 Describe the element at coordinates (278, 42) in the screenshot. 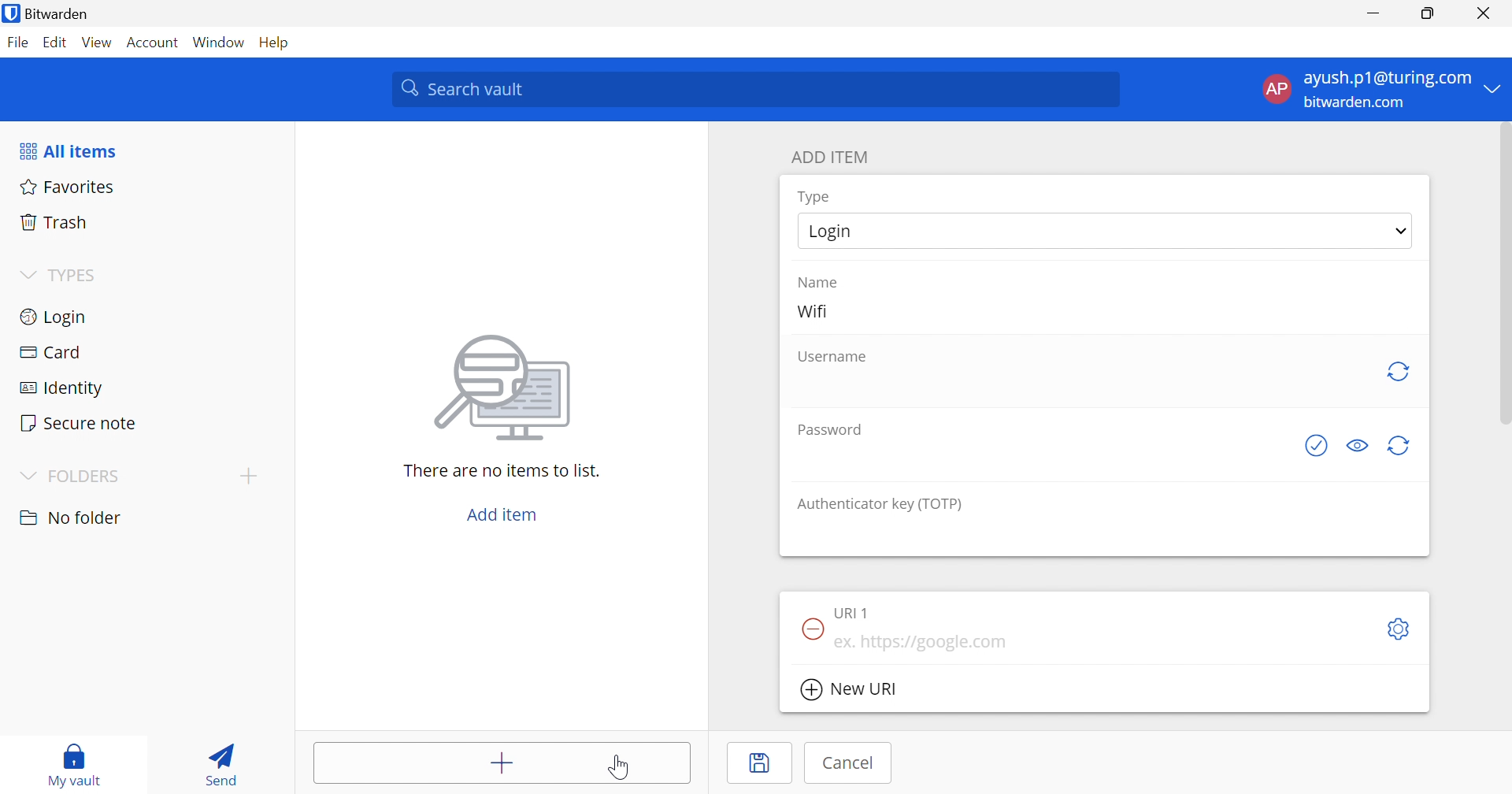

I see `Help` at that location.